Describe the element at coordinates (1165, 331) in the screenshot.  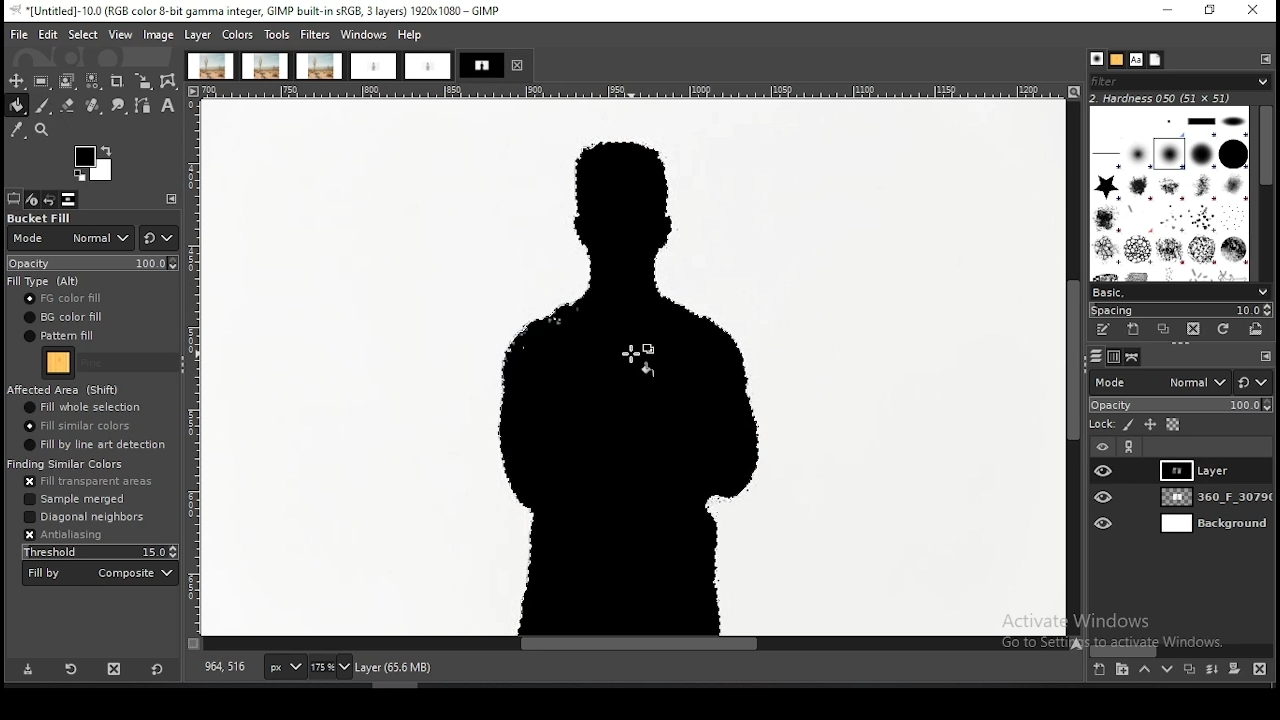
I see `duplicate brush` at that location.